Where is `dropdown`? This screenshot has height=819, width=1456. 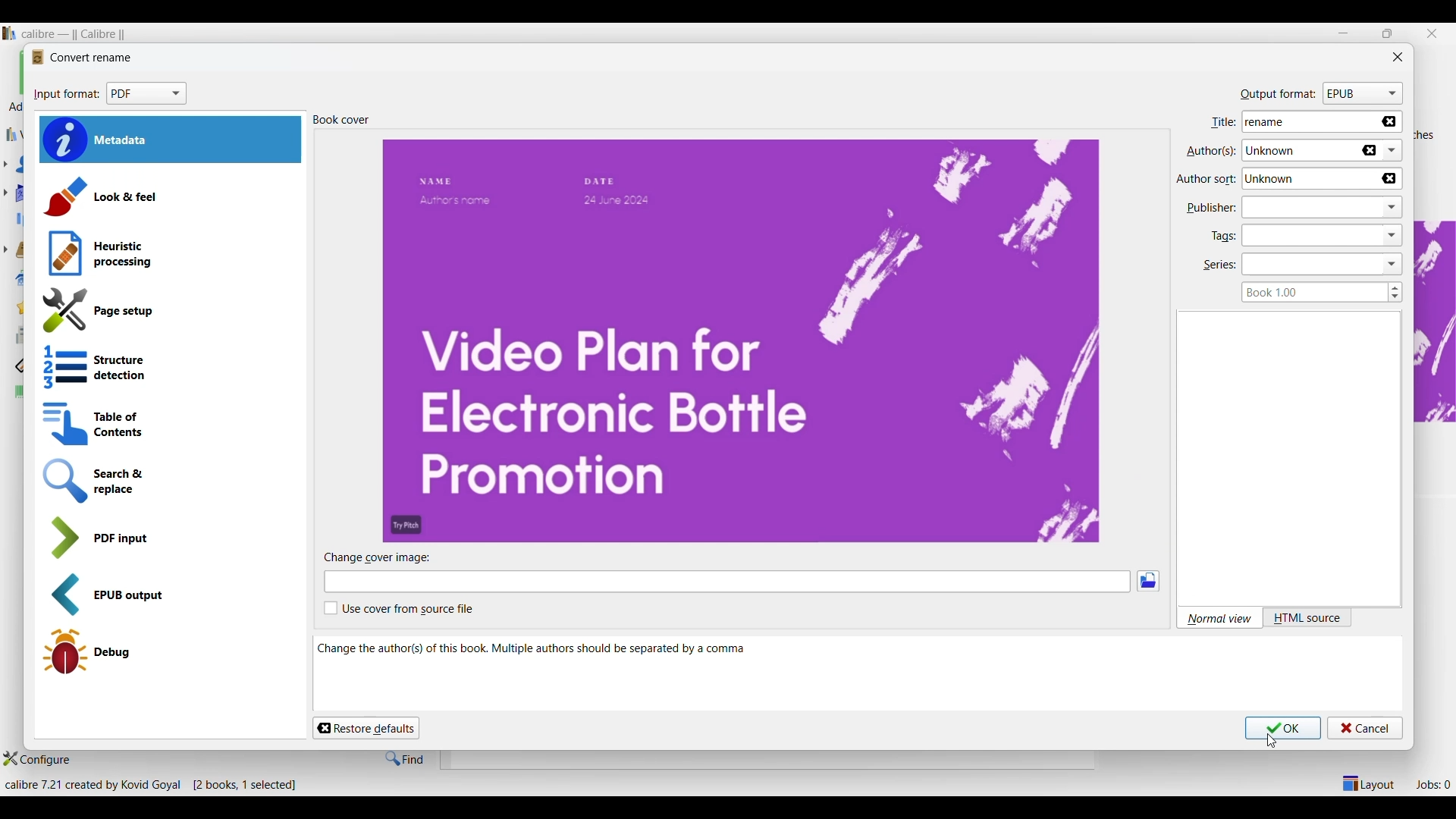 dropdown is located at coordinates (1393, 263).